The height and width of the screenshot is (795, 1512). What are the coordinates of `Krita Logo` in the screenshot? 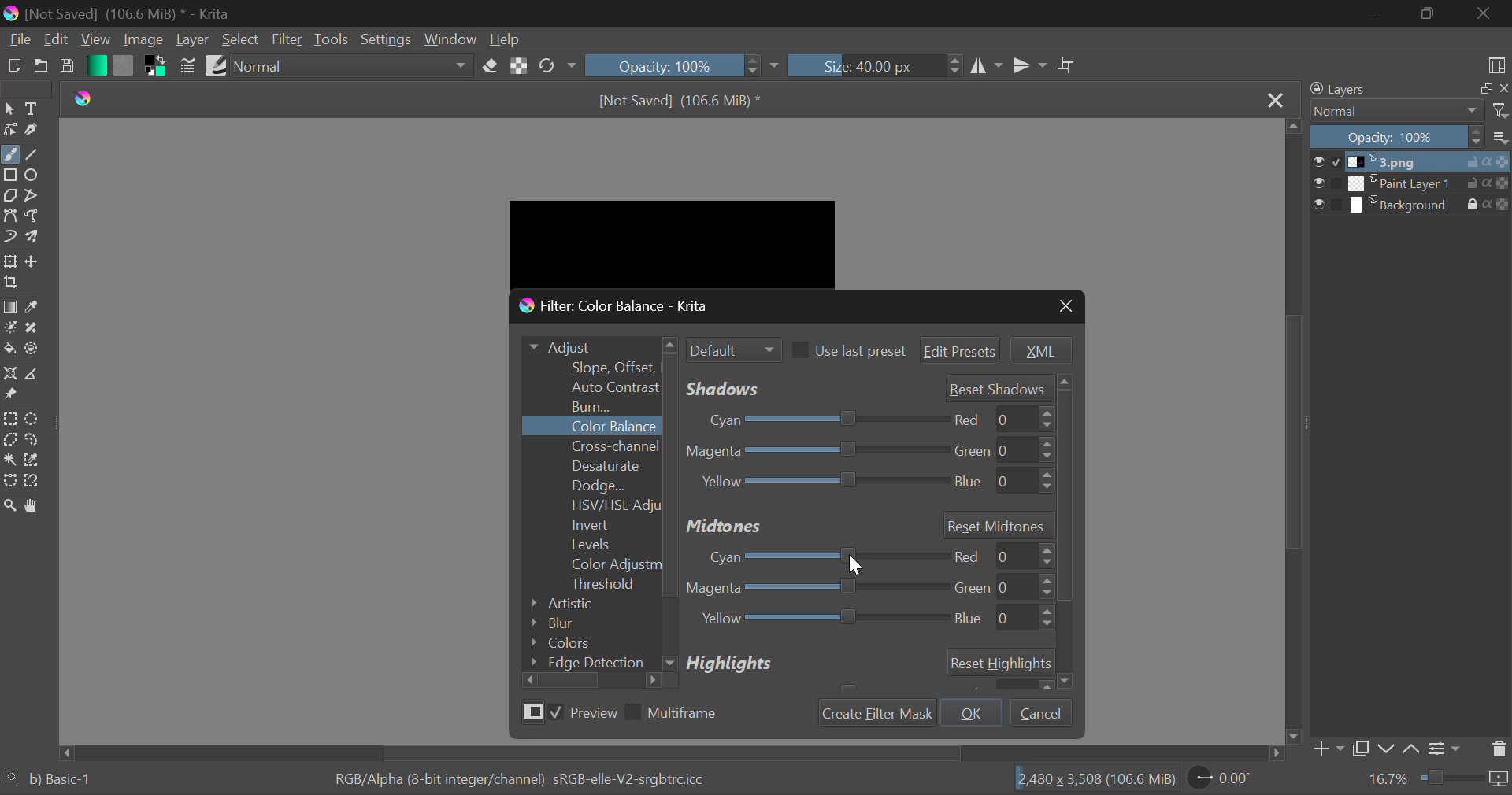 It's located at (83, 97).